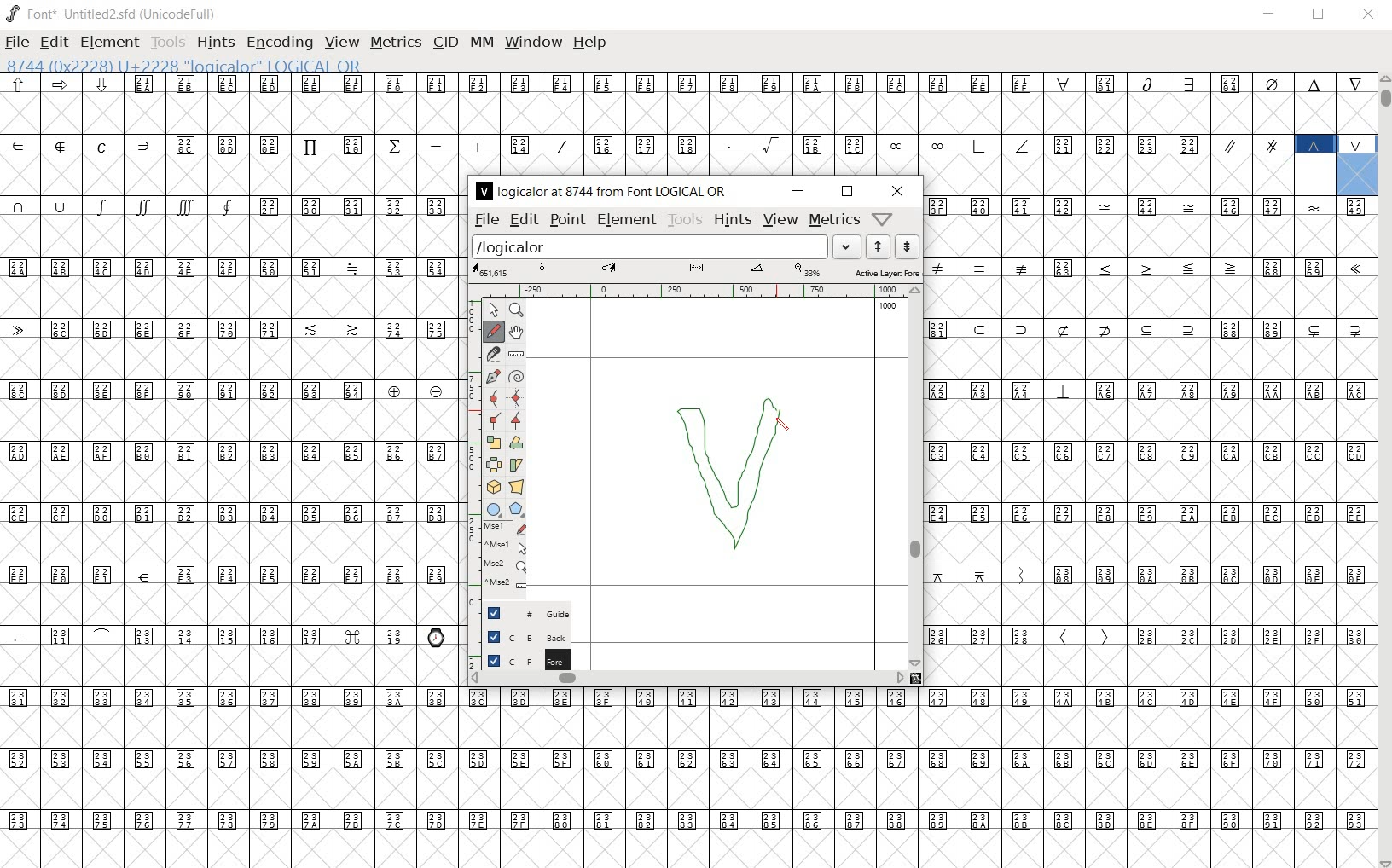 The image size is (1392, 868). What do you see at coordinates (109, 42) in the screenshot?
I see `element` at bounding box center [109, 42].